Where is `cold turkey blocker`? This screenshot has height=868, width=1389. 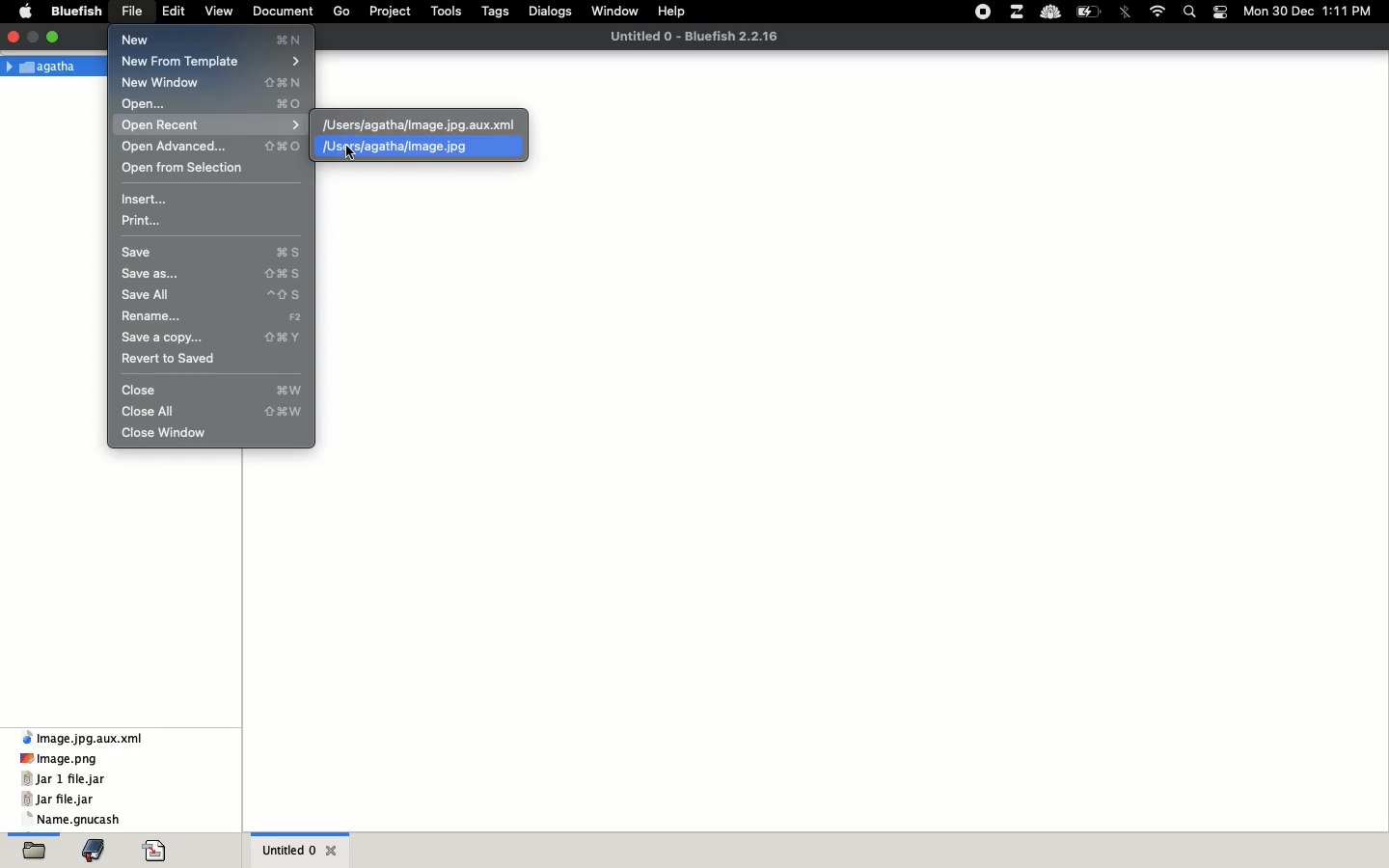
cold turkey blocker is located at coordinates (1052, 13).